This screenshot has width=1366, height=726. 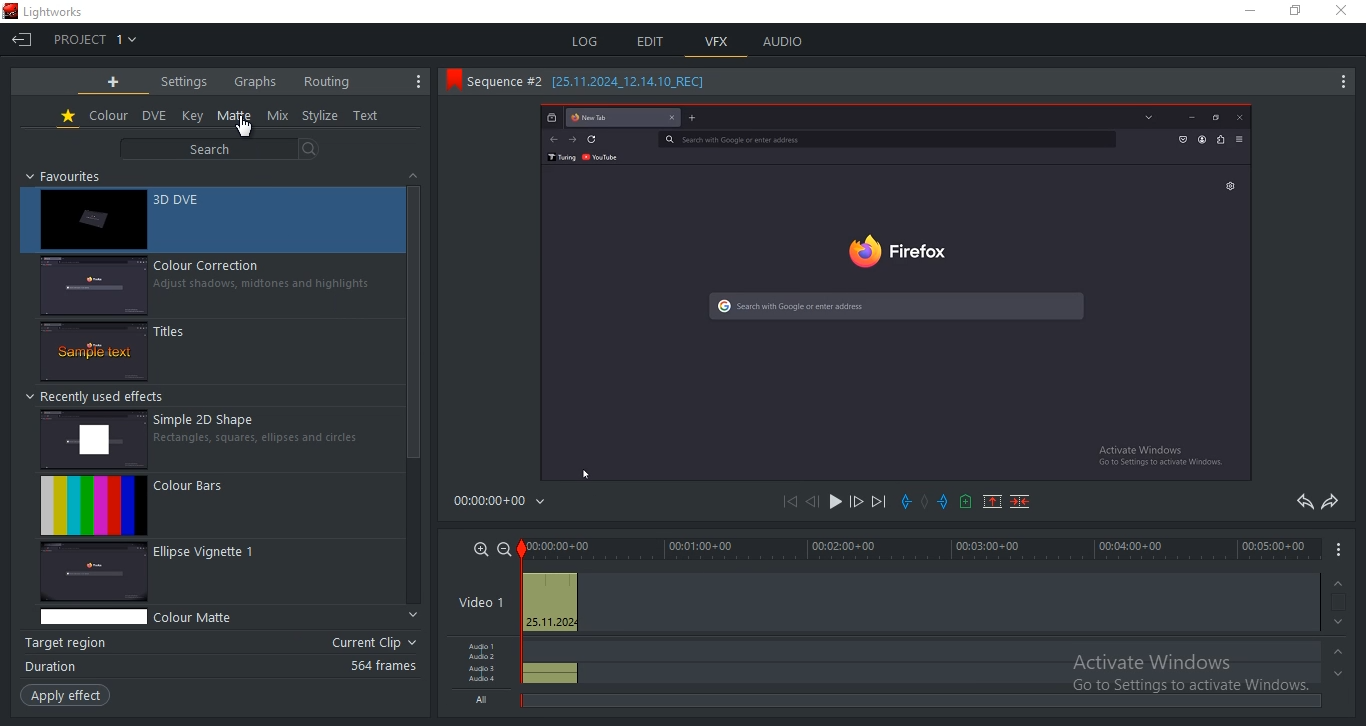 What do you see at coordinates (717, 42) in the screenshot?
I see `vfx` at bounding box center [717, 42].